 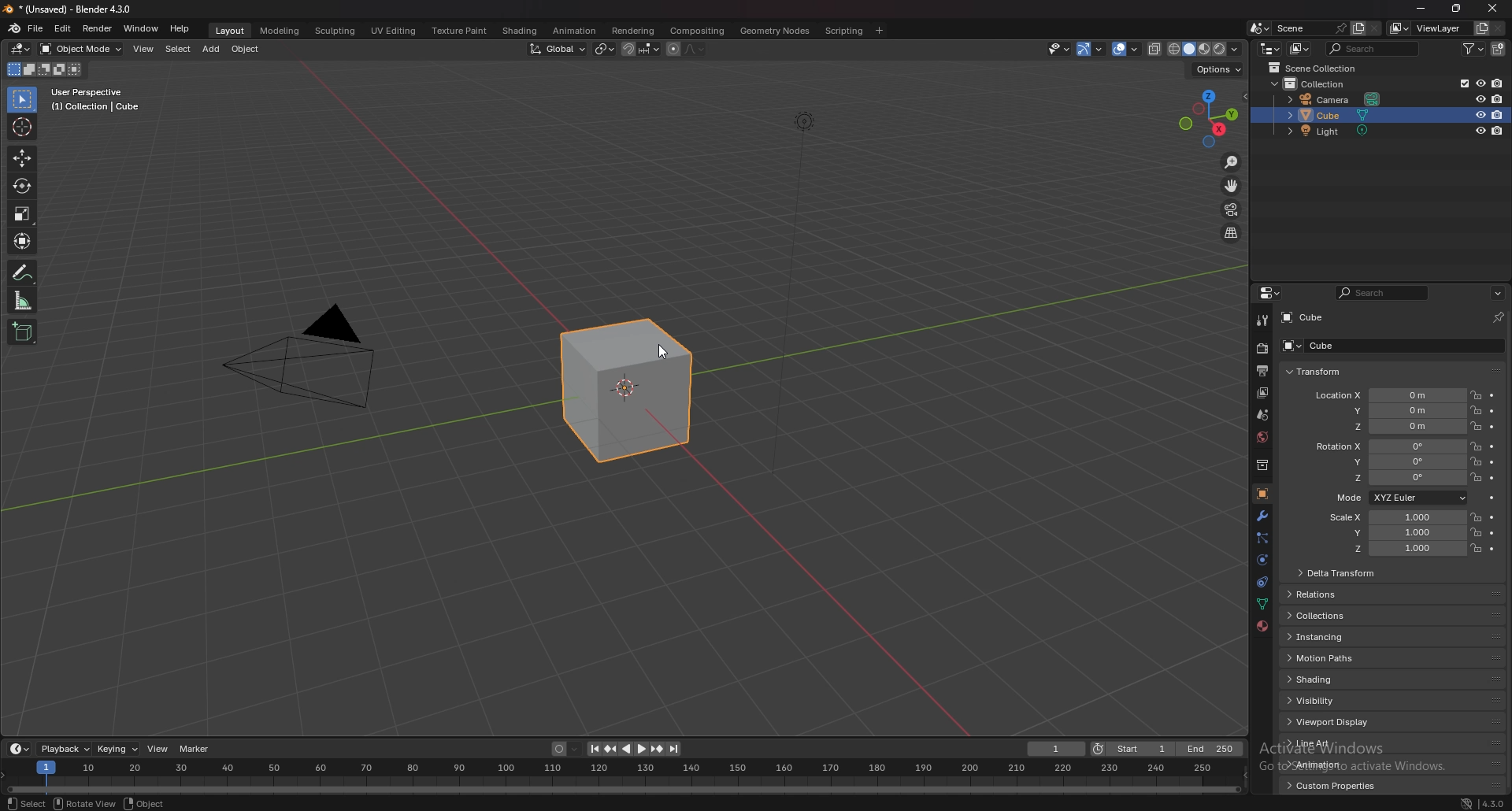 I want to click on rendering, so click(x=634, y=31).